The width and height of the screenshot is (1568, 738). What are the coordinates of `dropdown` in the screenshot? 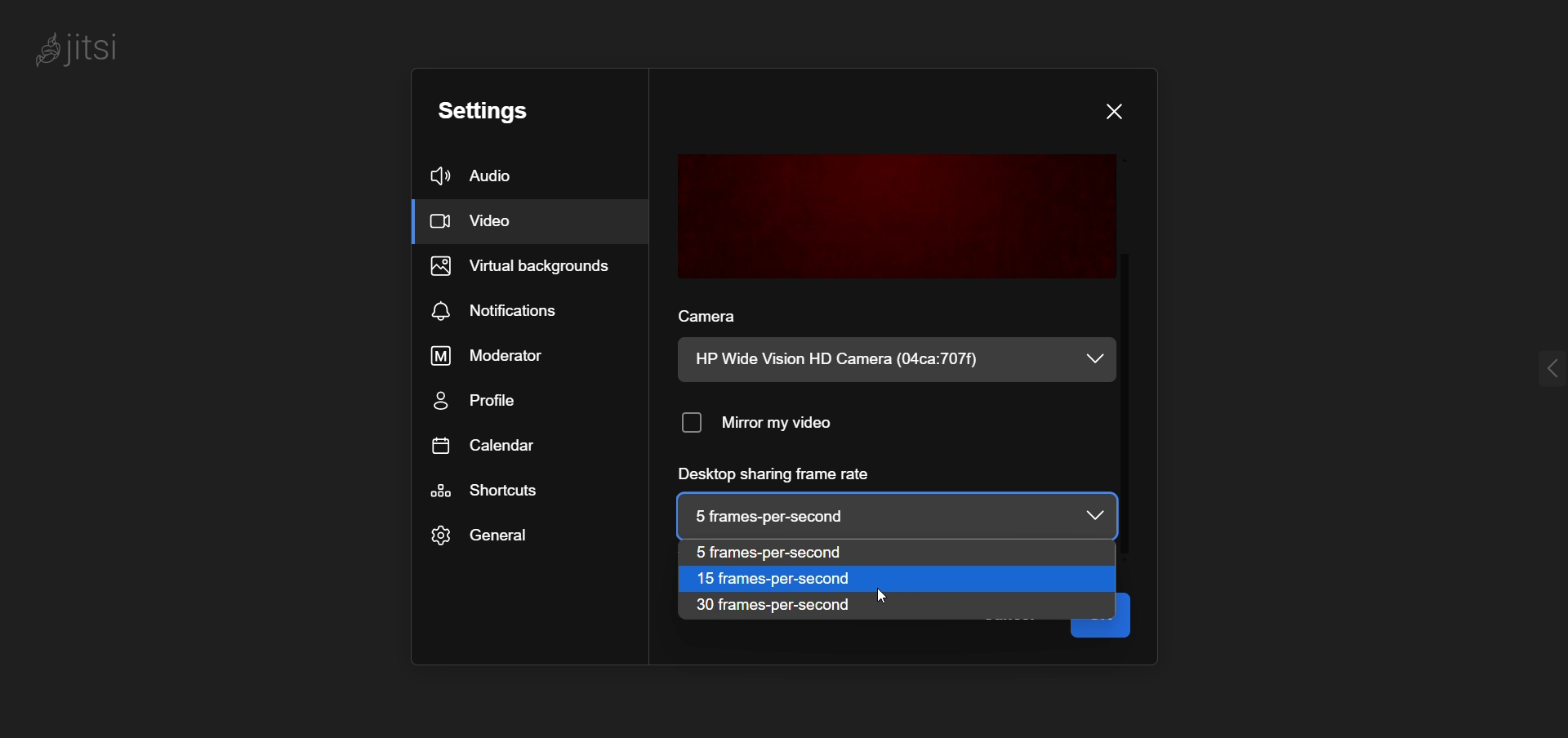 It's located at (1094, 516).